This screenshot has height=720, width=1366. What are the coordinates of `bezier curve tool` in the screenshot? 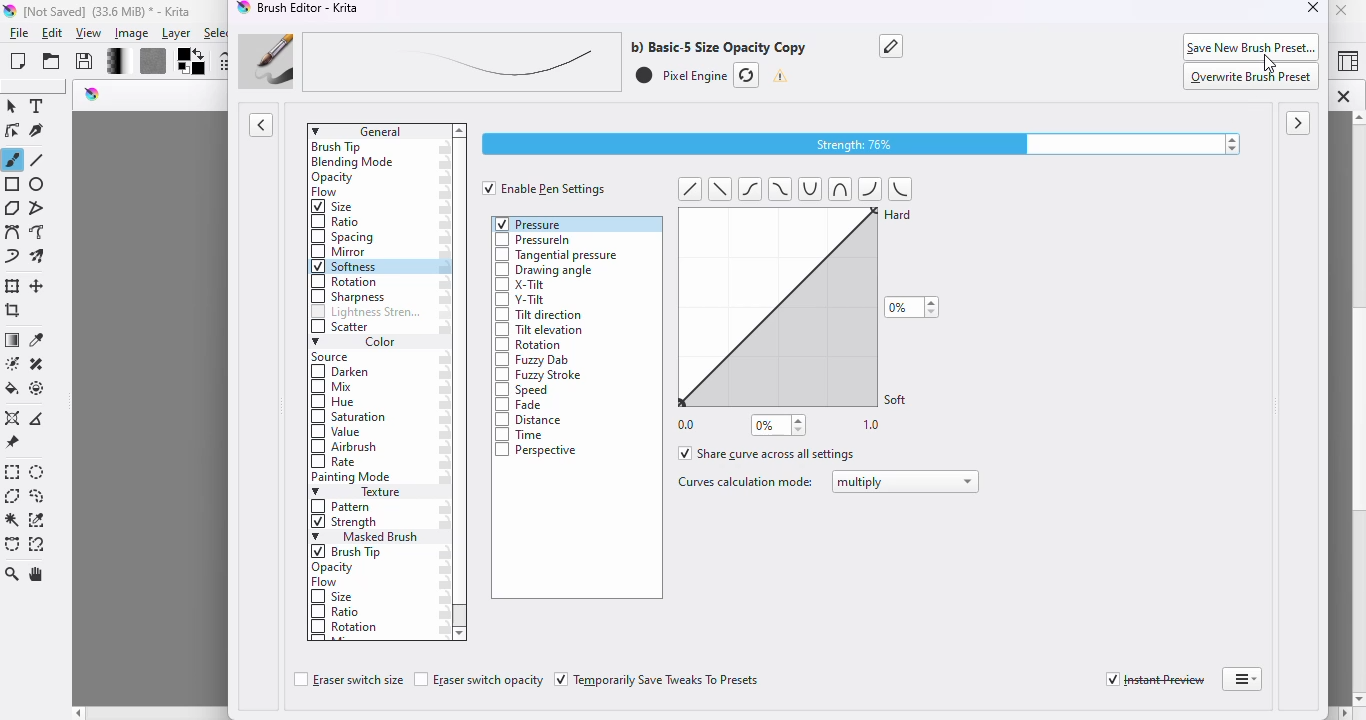 It's located at (12, 232).